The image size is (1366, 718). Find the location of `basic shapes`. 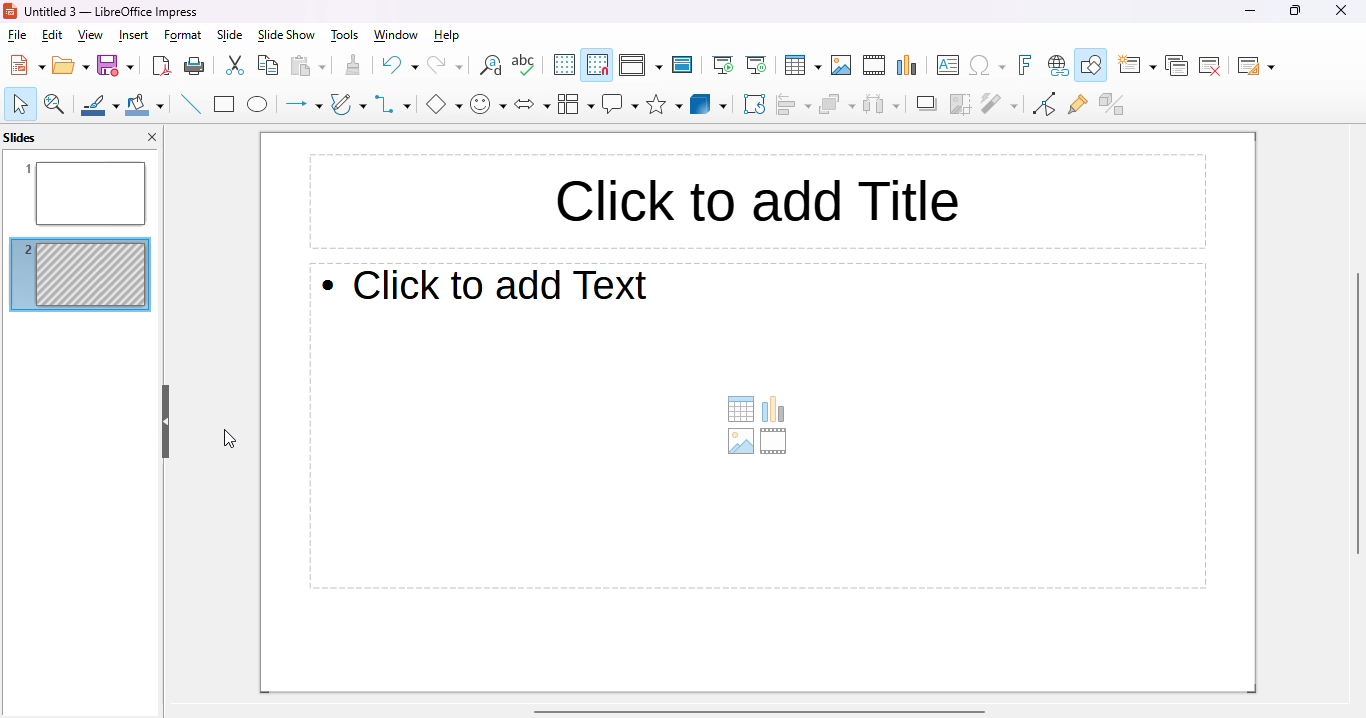

basic shapes is located at coordinates (444, 104).